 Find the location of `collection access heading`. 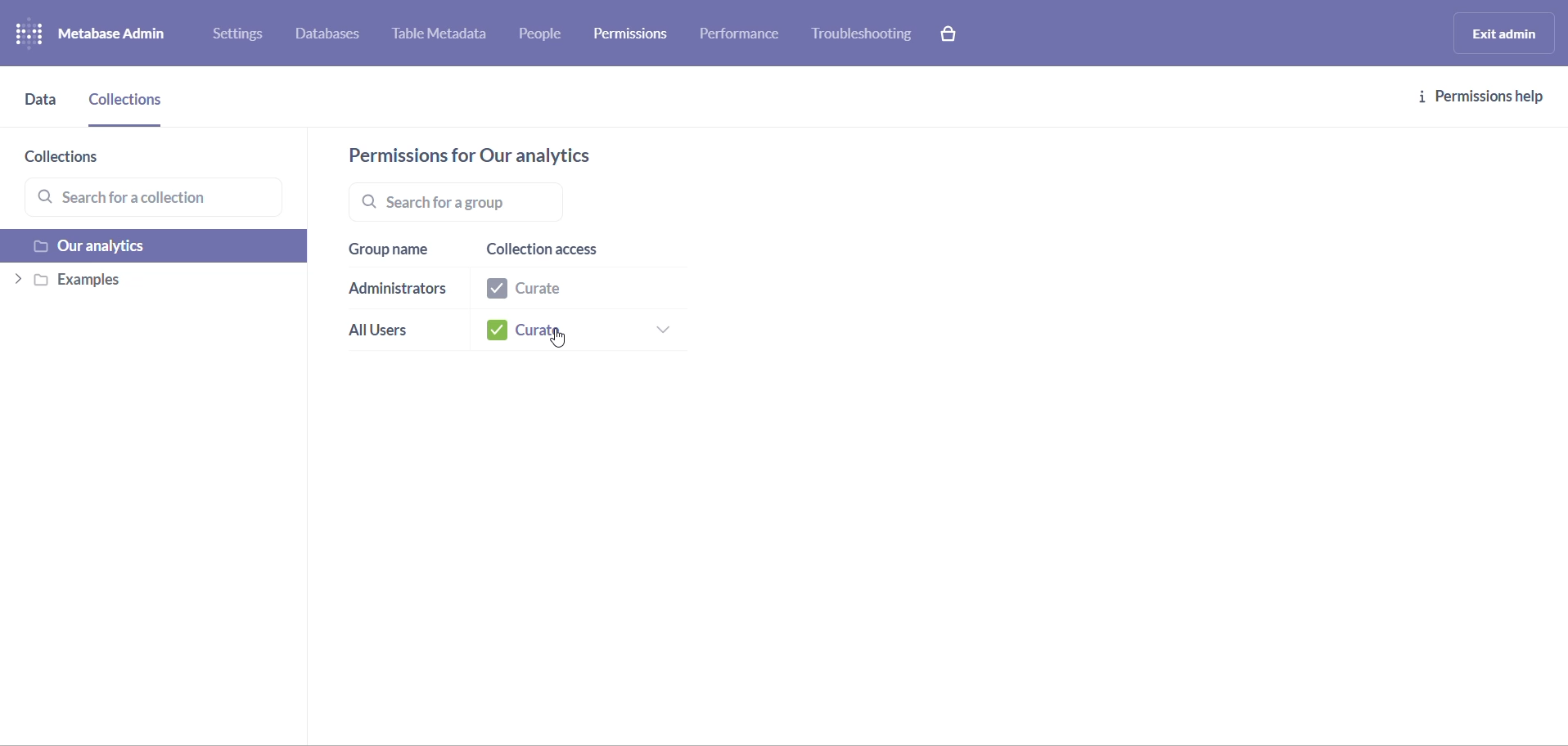

collection access heading is located at coordinates (573, 251).